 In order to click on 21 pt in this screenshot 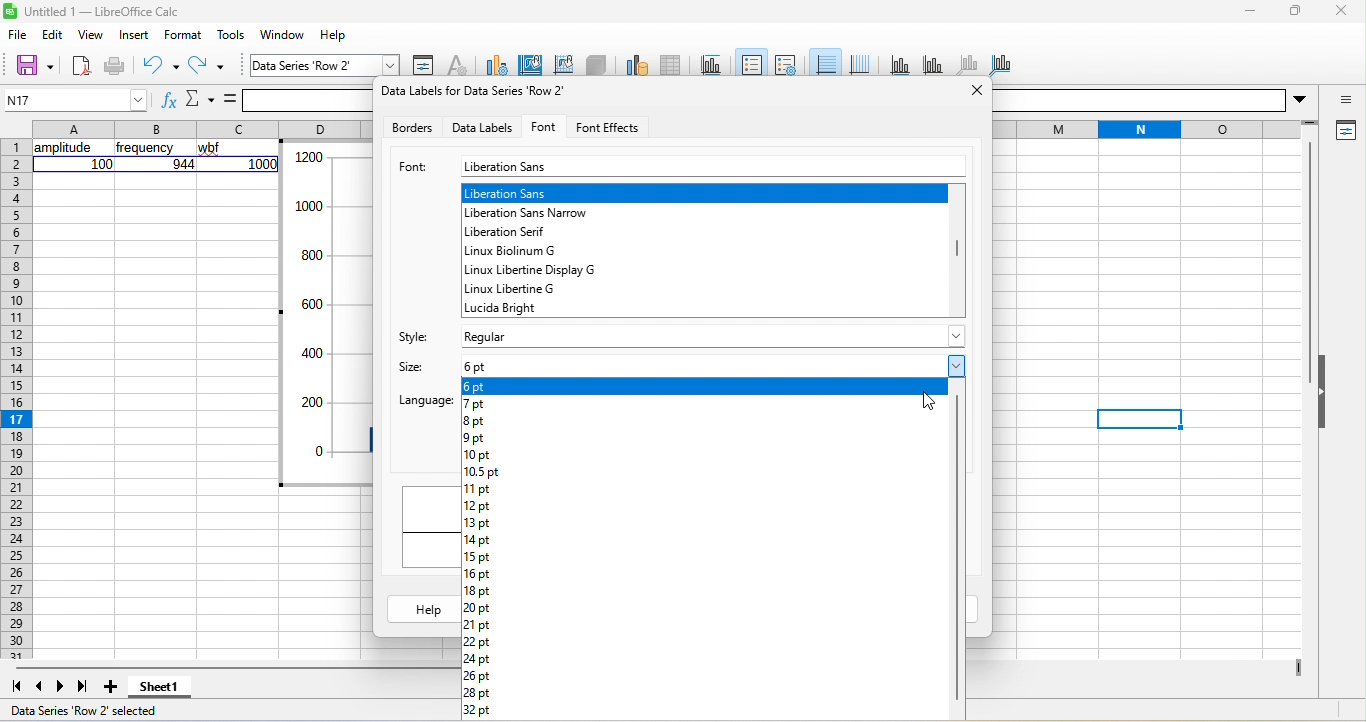, I will do `click(478, 626)`.